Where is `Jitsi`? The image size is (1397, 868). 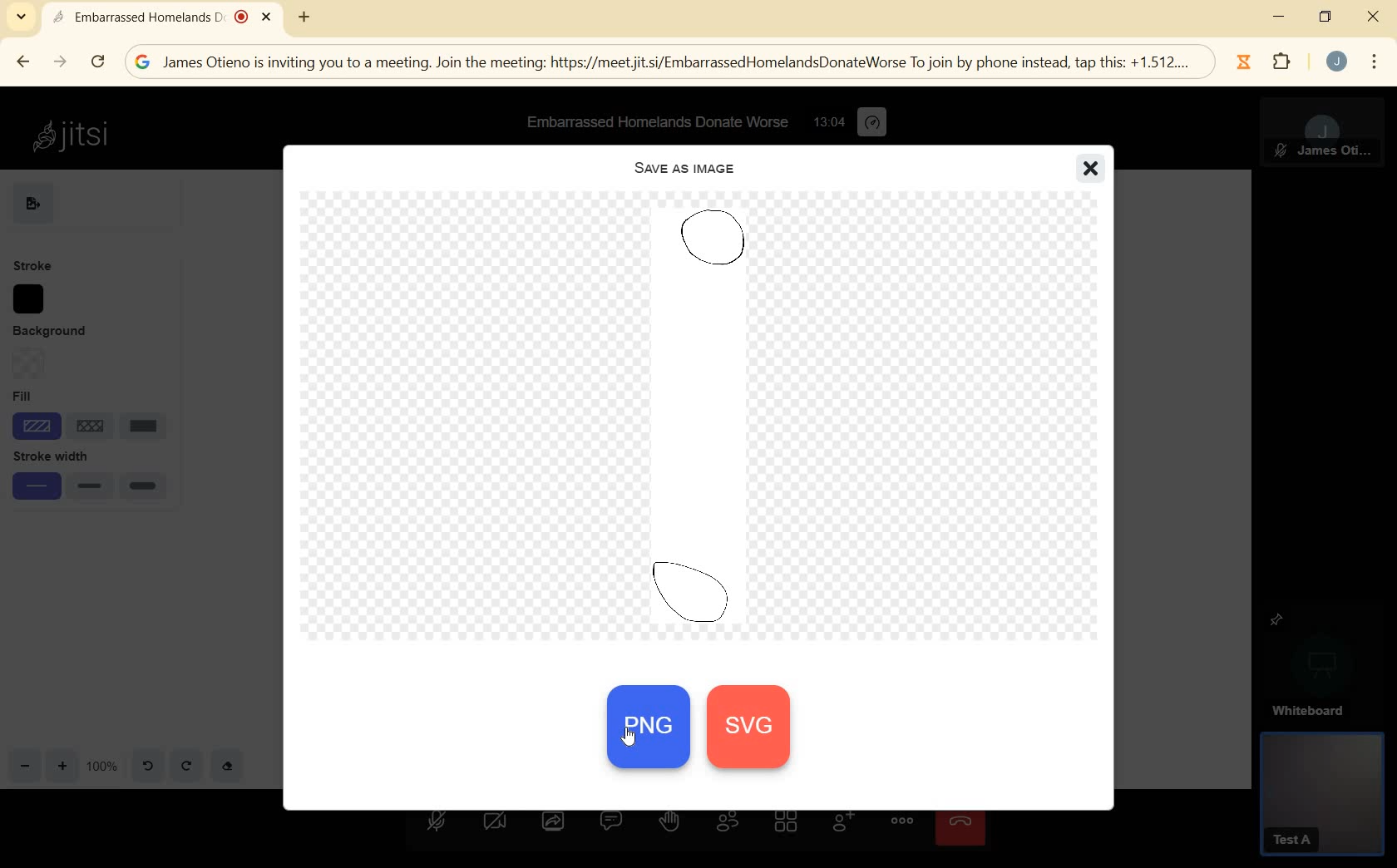 Jitsi is located at coordinates (77, 136).